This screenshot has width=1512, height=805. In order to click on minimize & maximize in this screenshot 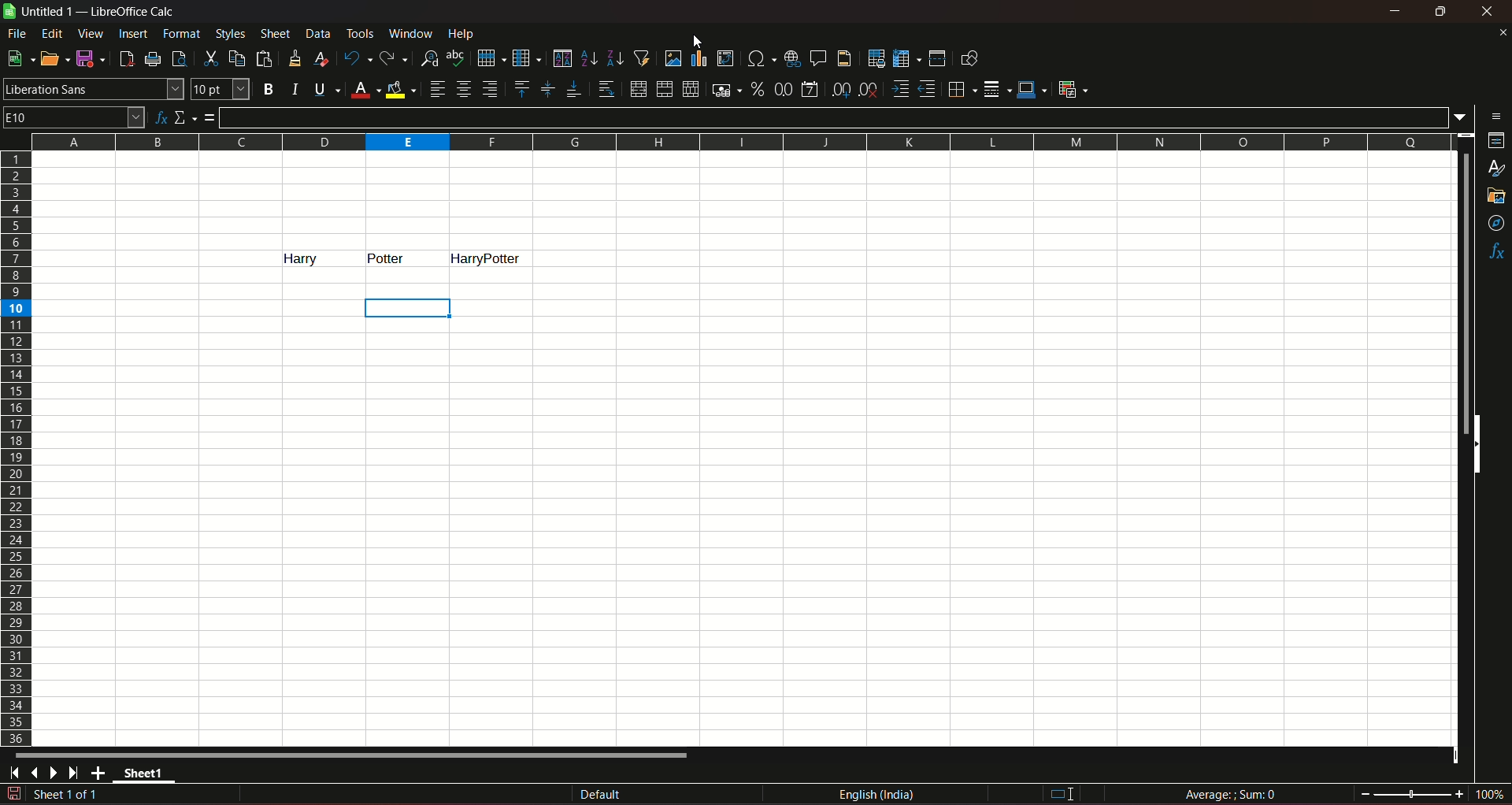, I will do `click(1440, 12)`.